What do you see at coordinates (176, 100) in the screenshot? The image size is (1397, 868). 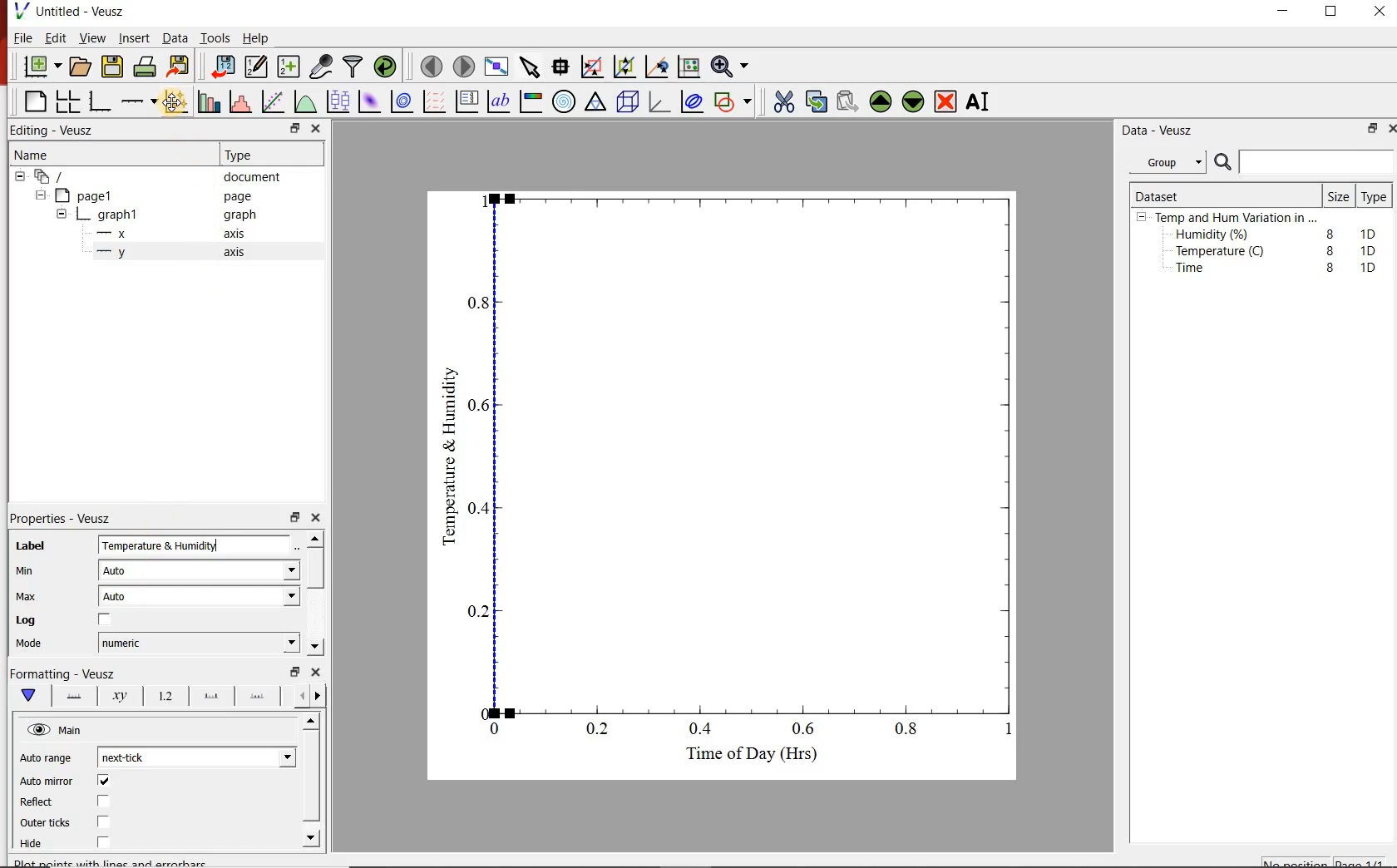 I see `Plot points with lines and error bars` at bounding box center [176, 100].